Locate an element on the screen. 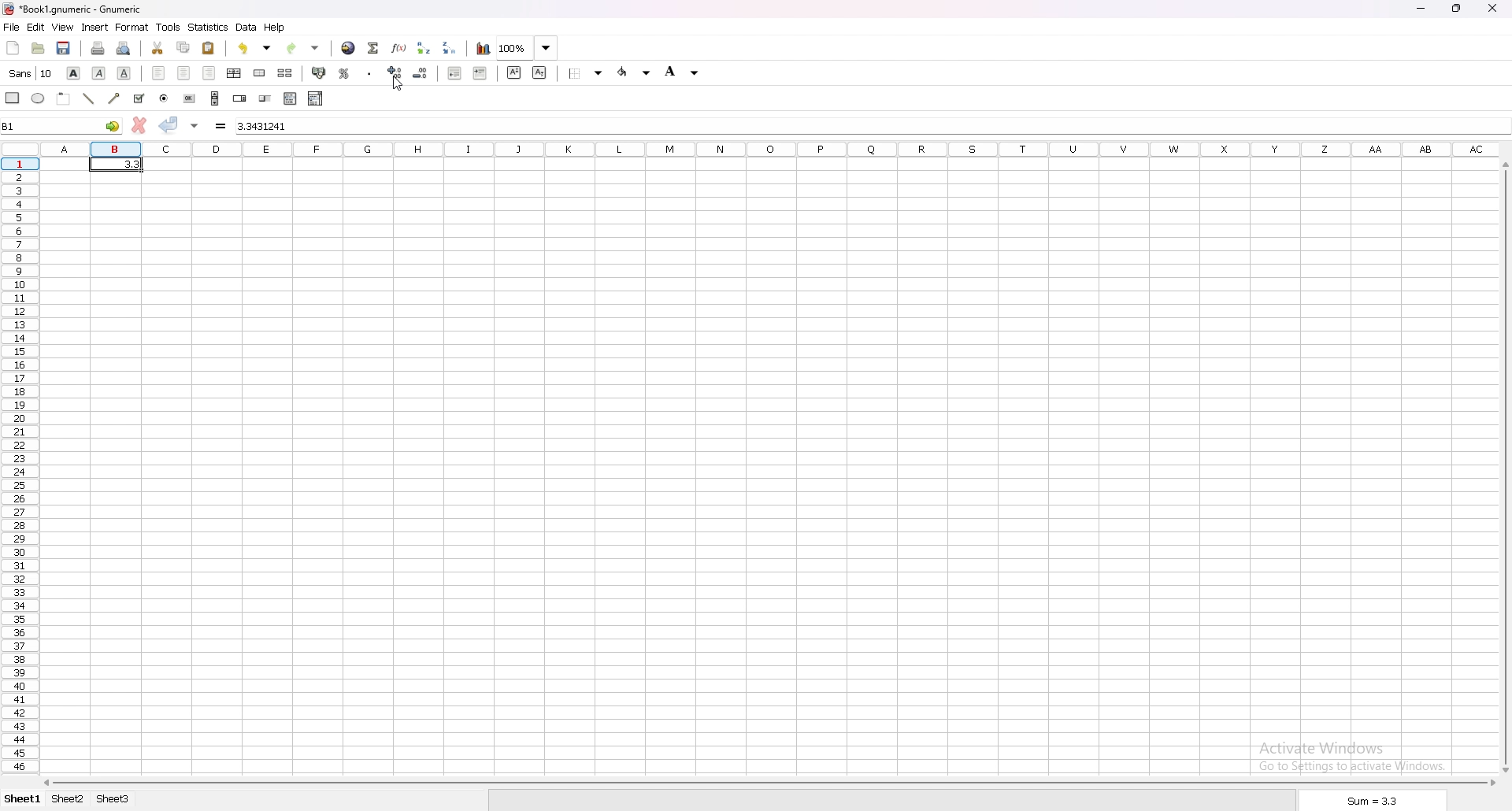  cursor is located at coordinates (396, 84).